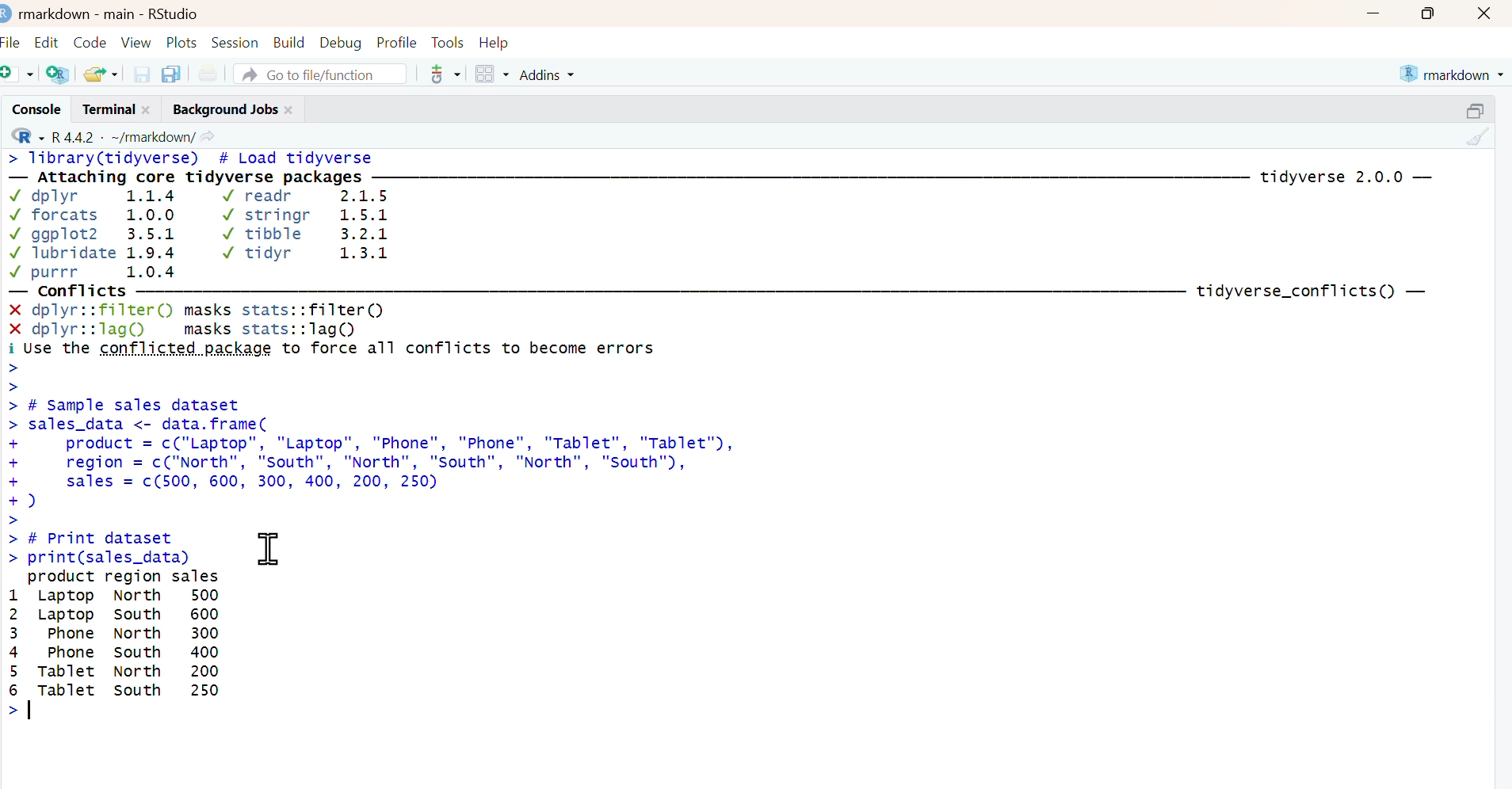  Describe the element at coordinates (19, 73) in the screenshot. I see `new file` at that location.